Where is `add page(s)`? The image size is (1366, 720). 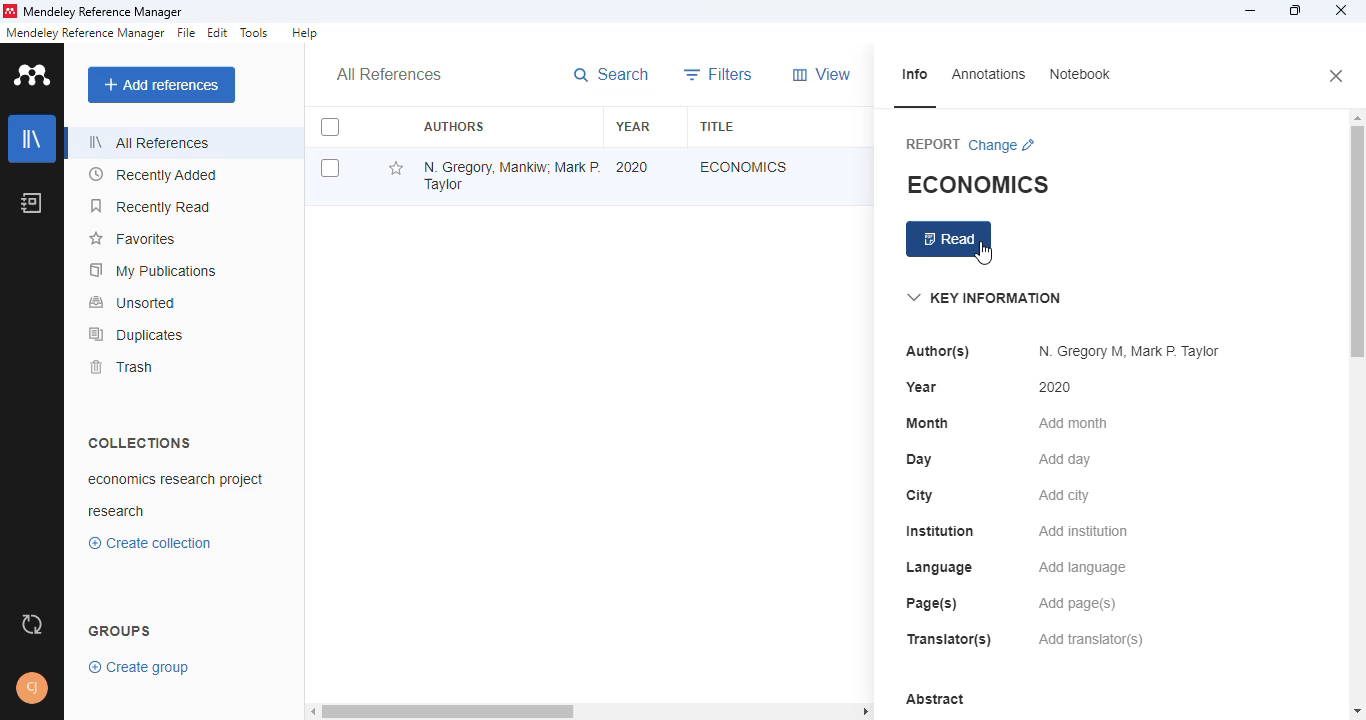 add page(s) is located at coordinates (1077, 603).